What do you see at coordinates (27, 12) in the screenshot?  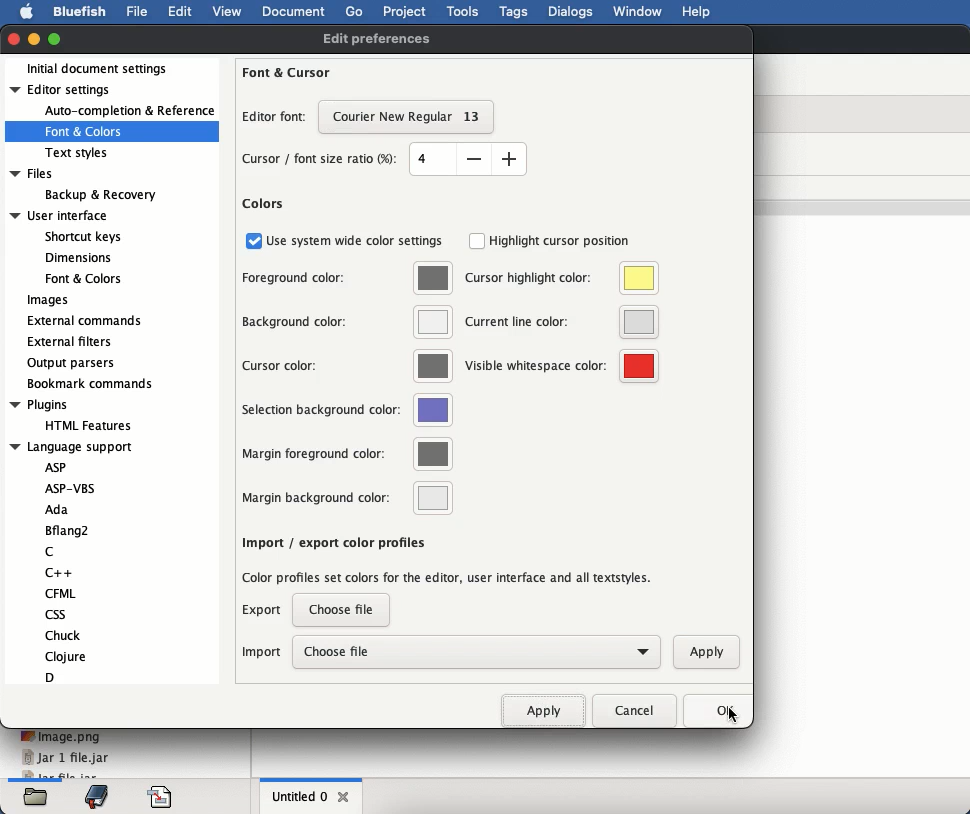 I see `apple logo` at bounding box center [27, 12].